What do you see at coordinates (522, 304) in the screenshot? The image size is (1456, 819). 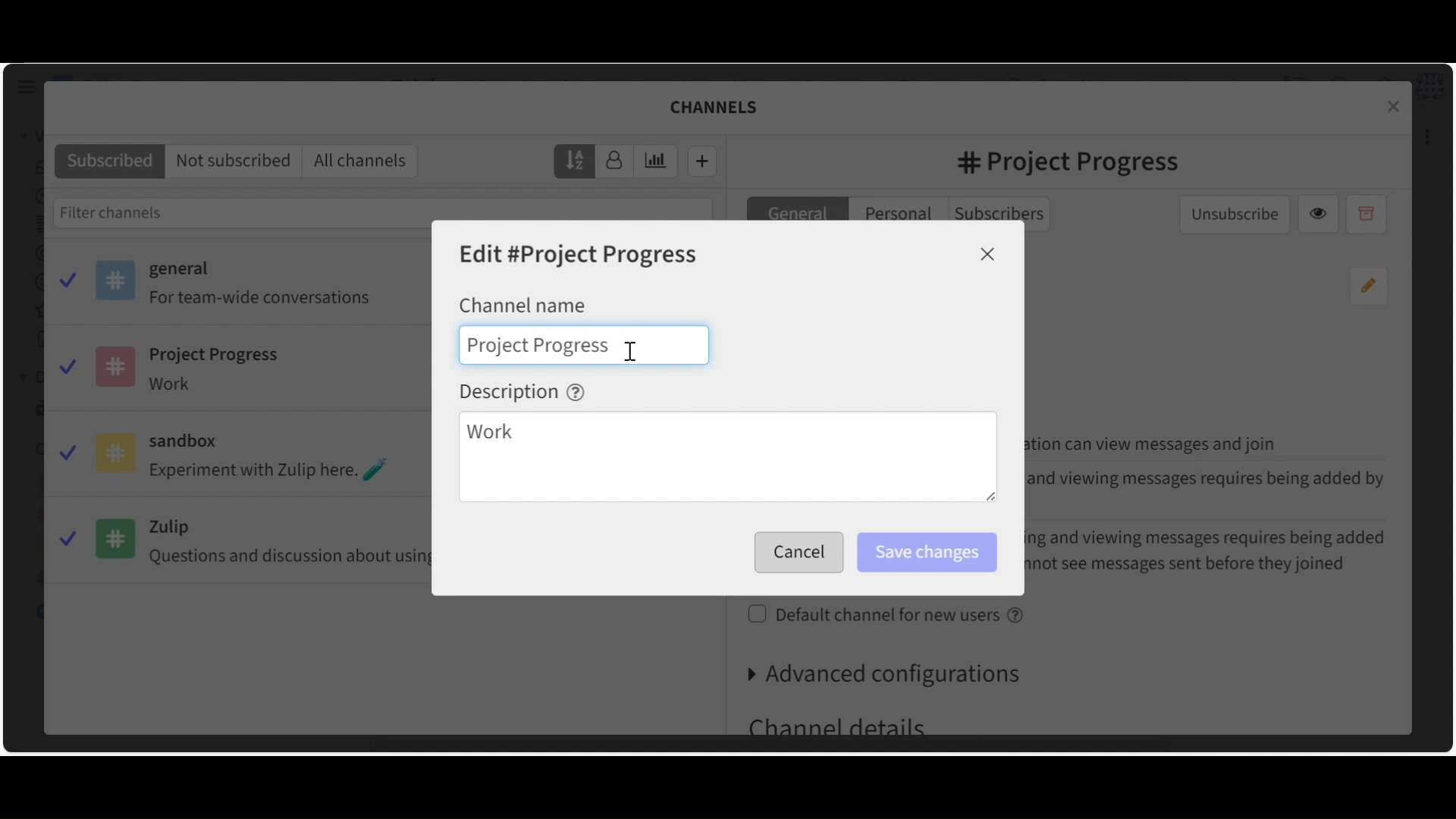 I see `Channel Name` at bounding box center [522, 304].